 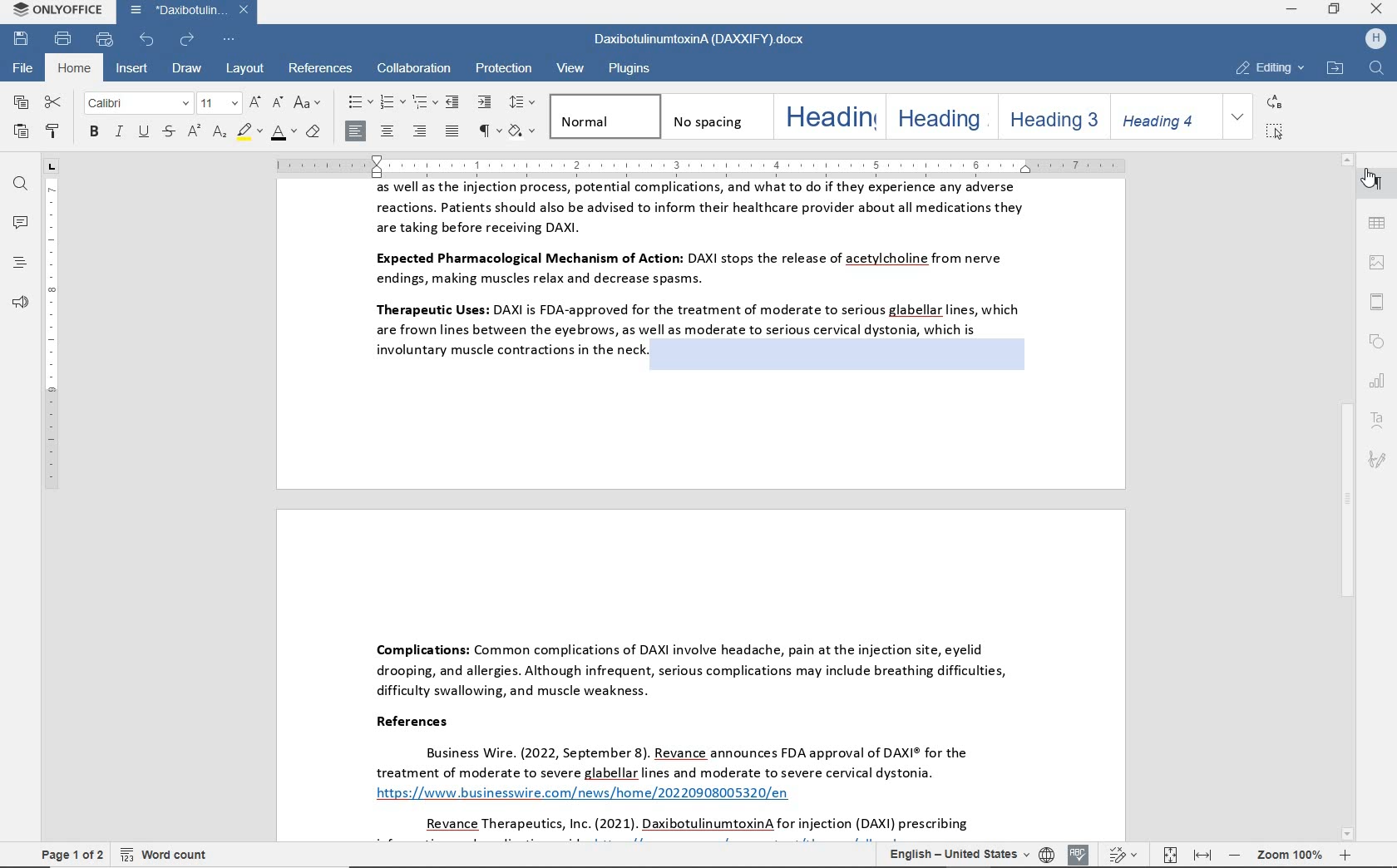 I want to click on text art, so click(x=1379, y=422).